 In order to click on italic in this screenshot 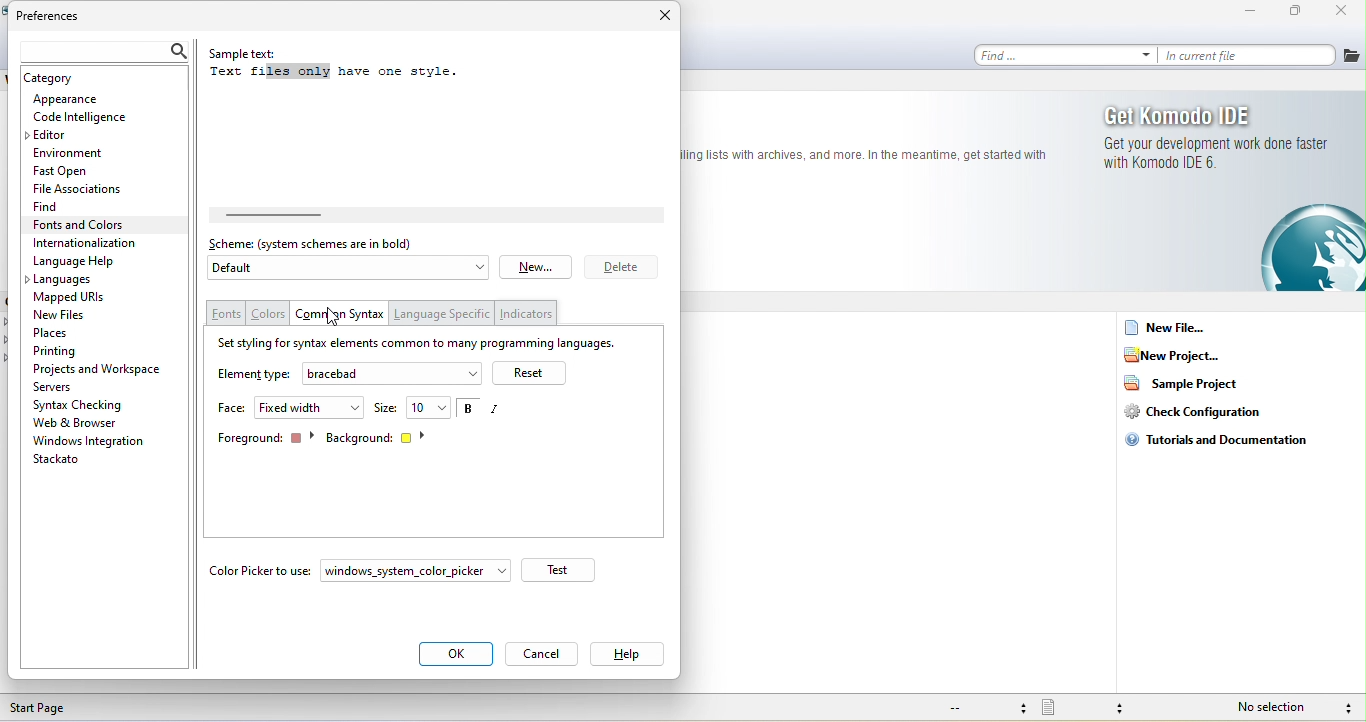, I will do `click(502, 411)`.